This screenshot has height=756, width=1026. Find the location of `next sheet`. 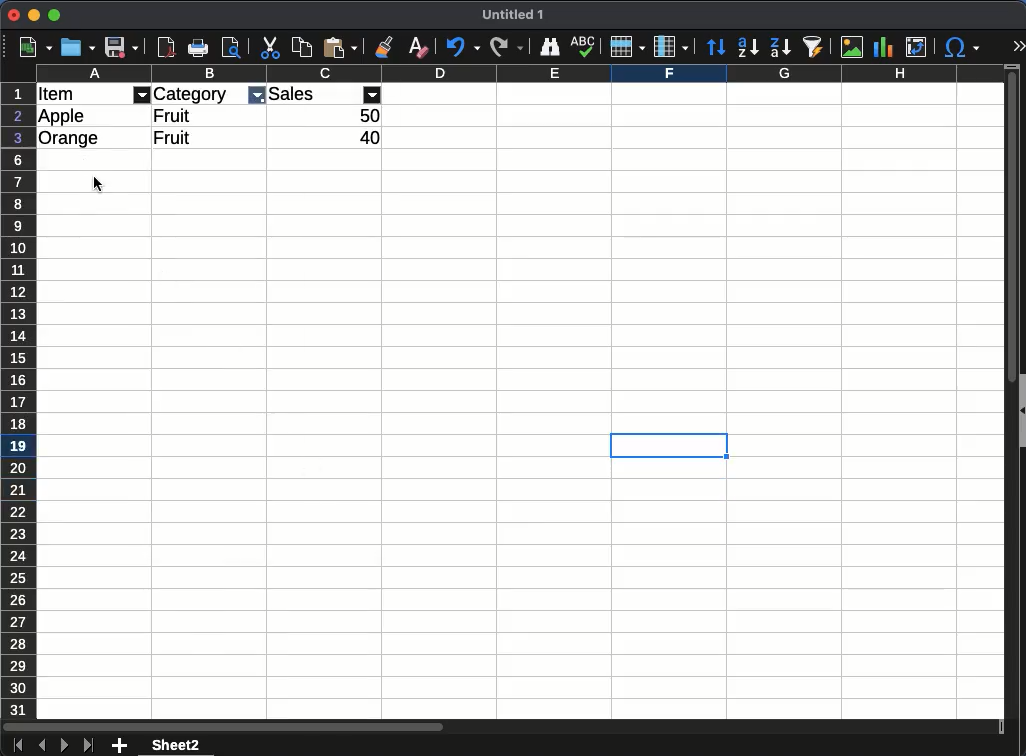

next sheet is located at coordinates (64, 746).